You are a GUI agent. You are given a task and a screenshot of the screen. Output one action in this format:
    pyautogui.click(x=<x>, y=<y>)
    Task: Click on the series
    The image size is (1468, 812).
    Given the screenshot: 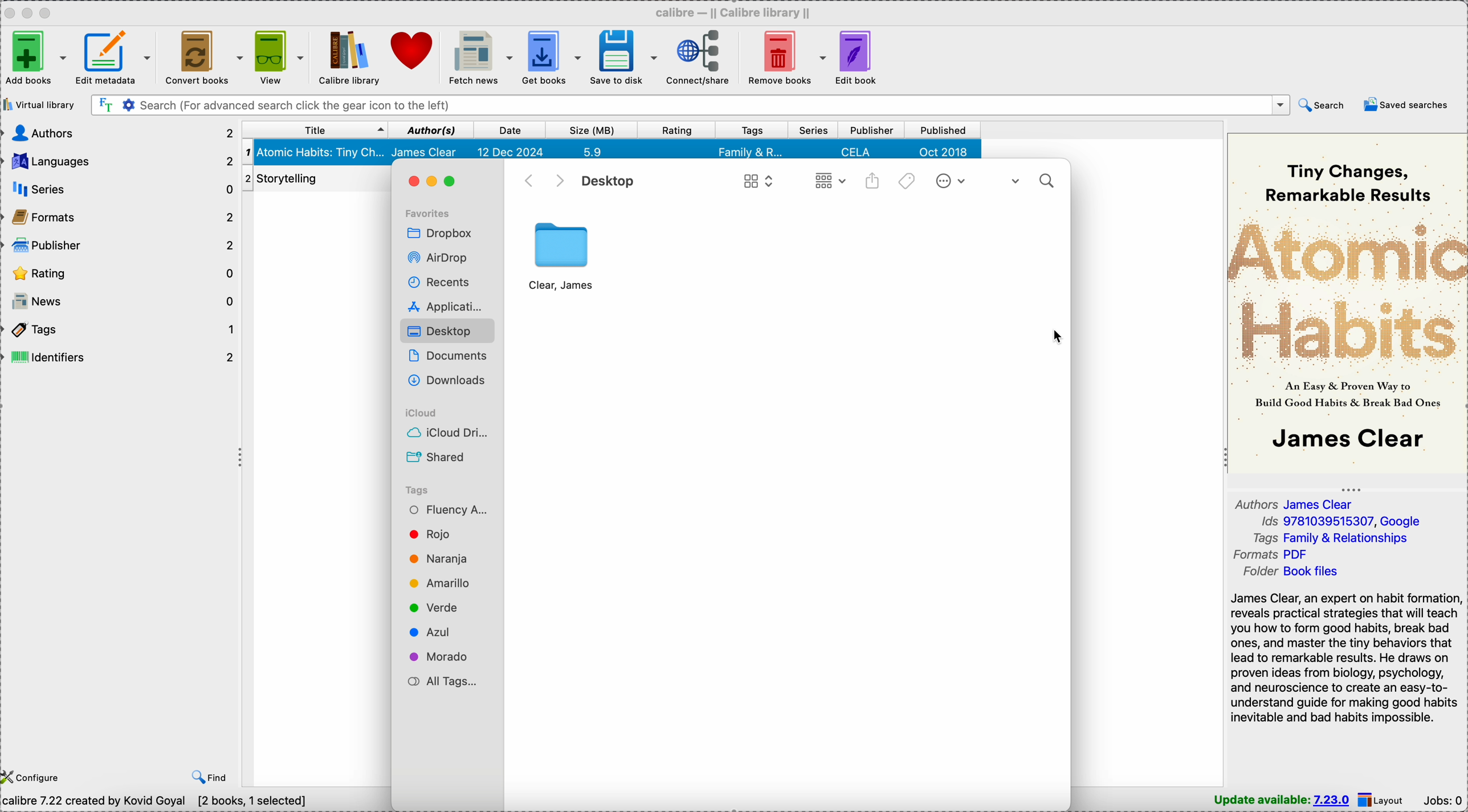 What is the action you would take?
    pyautogui.click(x=121, y=191)
    